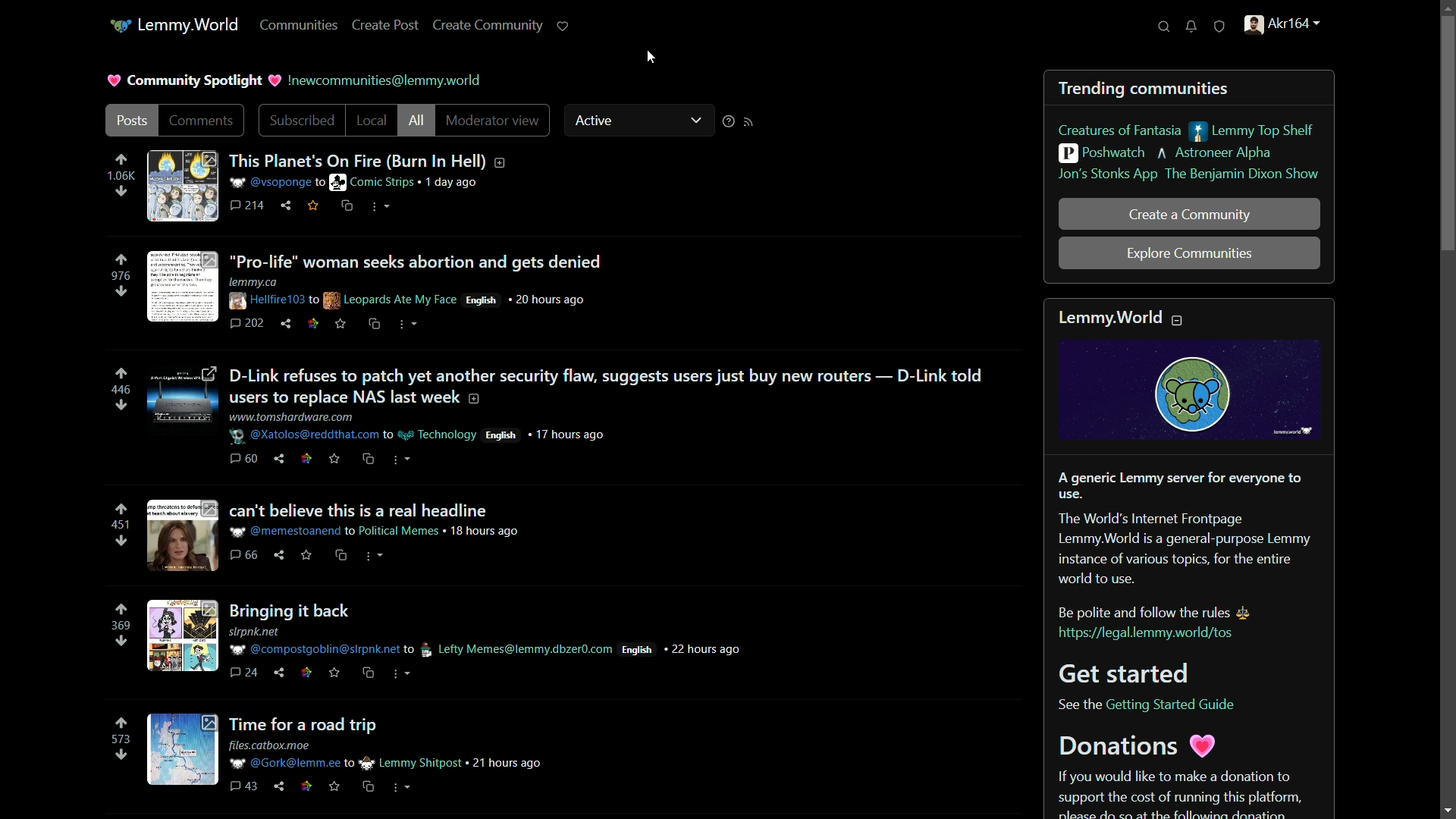 This screenshot has height=819, width=1456. Describe the element at coordinates (488, 26) in the screenshot. I see `create community` at that location.